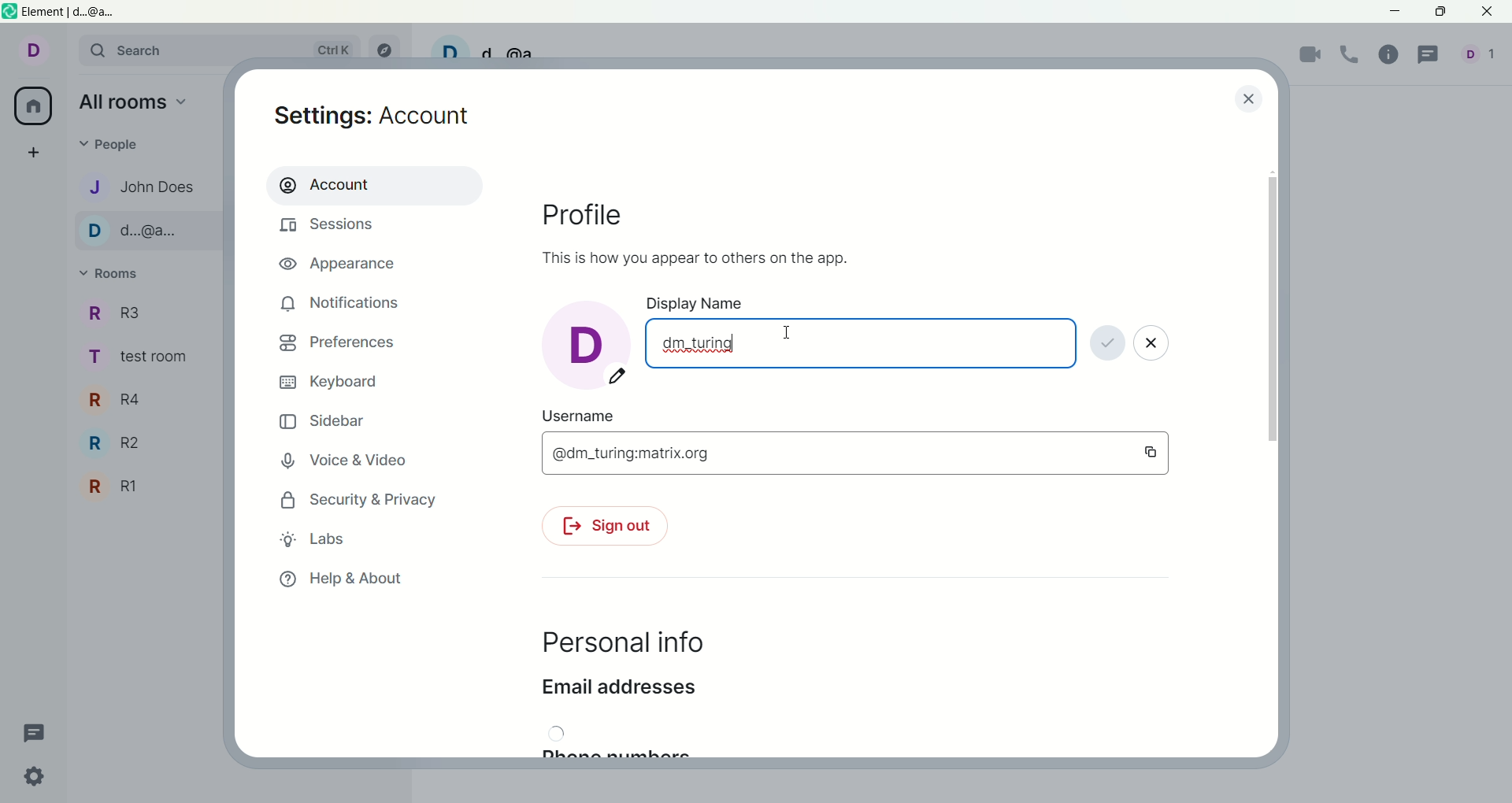 This screenshot has width=1512, height=803. I want to click on minimize, so click(1396, 13).